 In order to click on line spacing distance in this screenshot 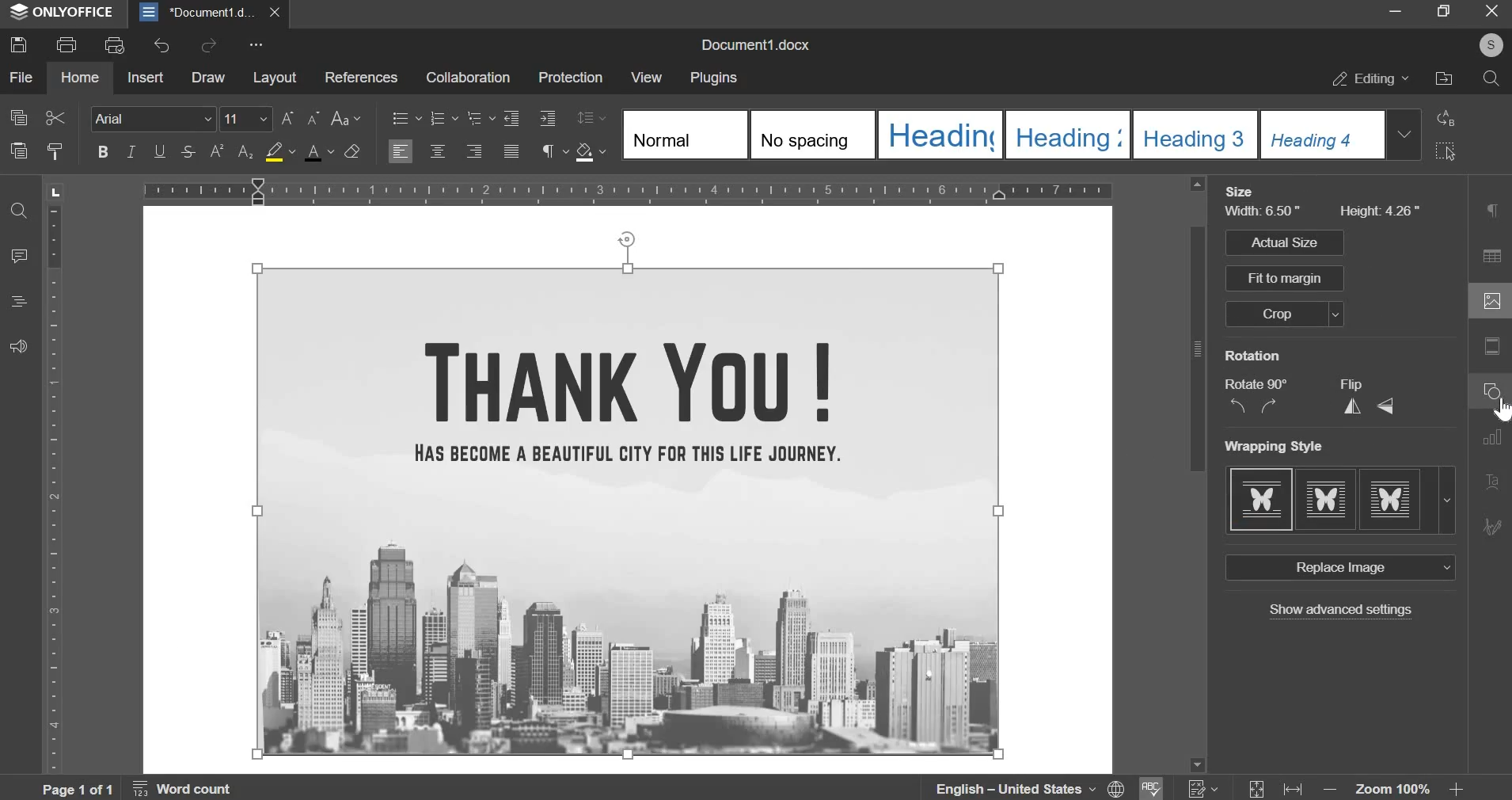, I will do `click(1391, 215)`.